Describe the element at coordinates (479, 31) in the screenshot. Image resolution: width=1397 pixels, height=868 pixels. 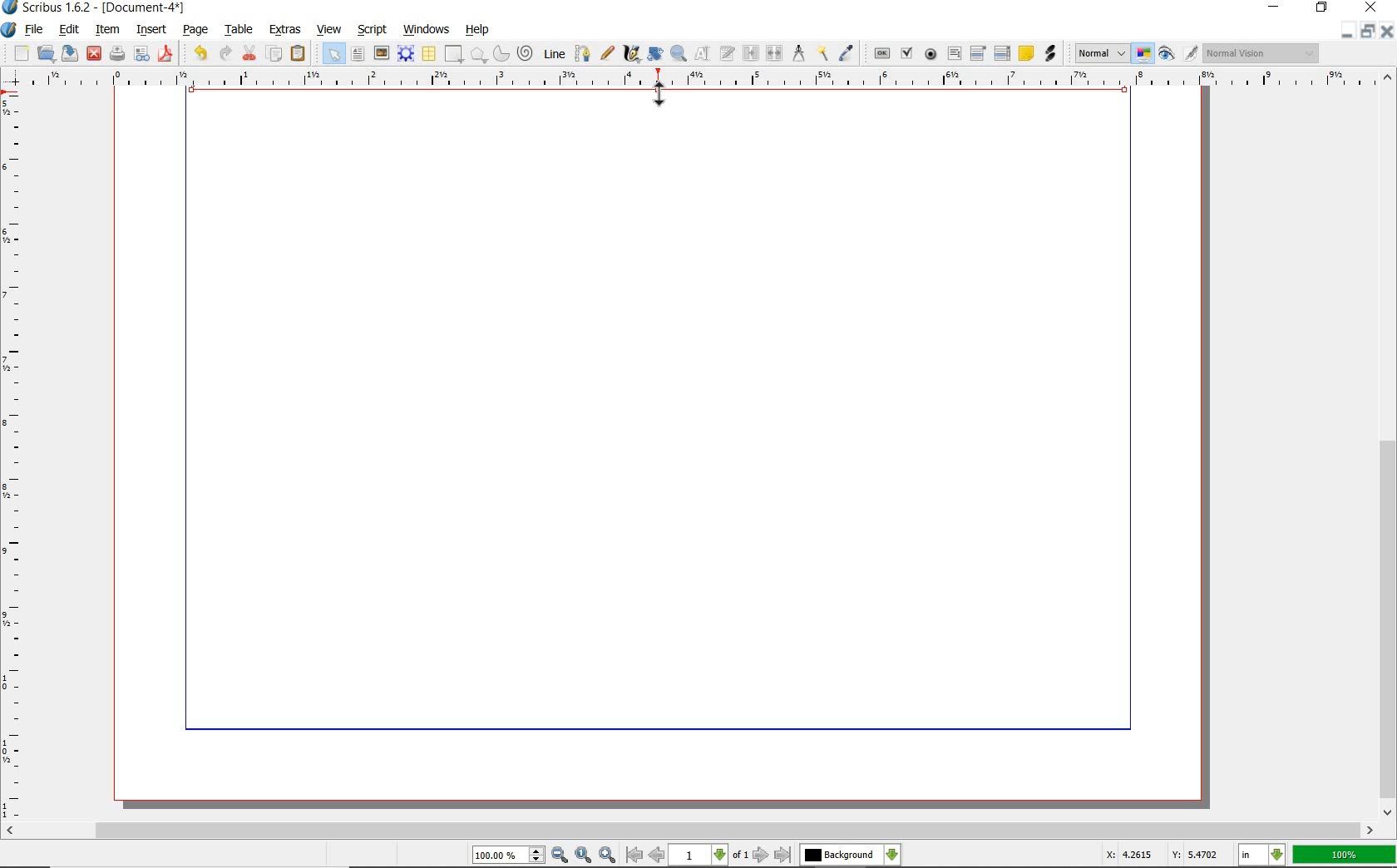
I see `help` at that location.